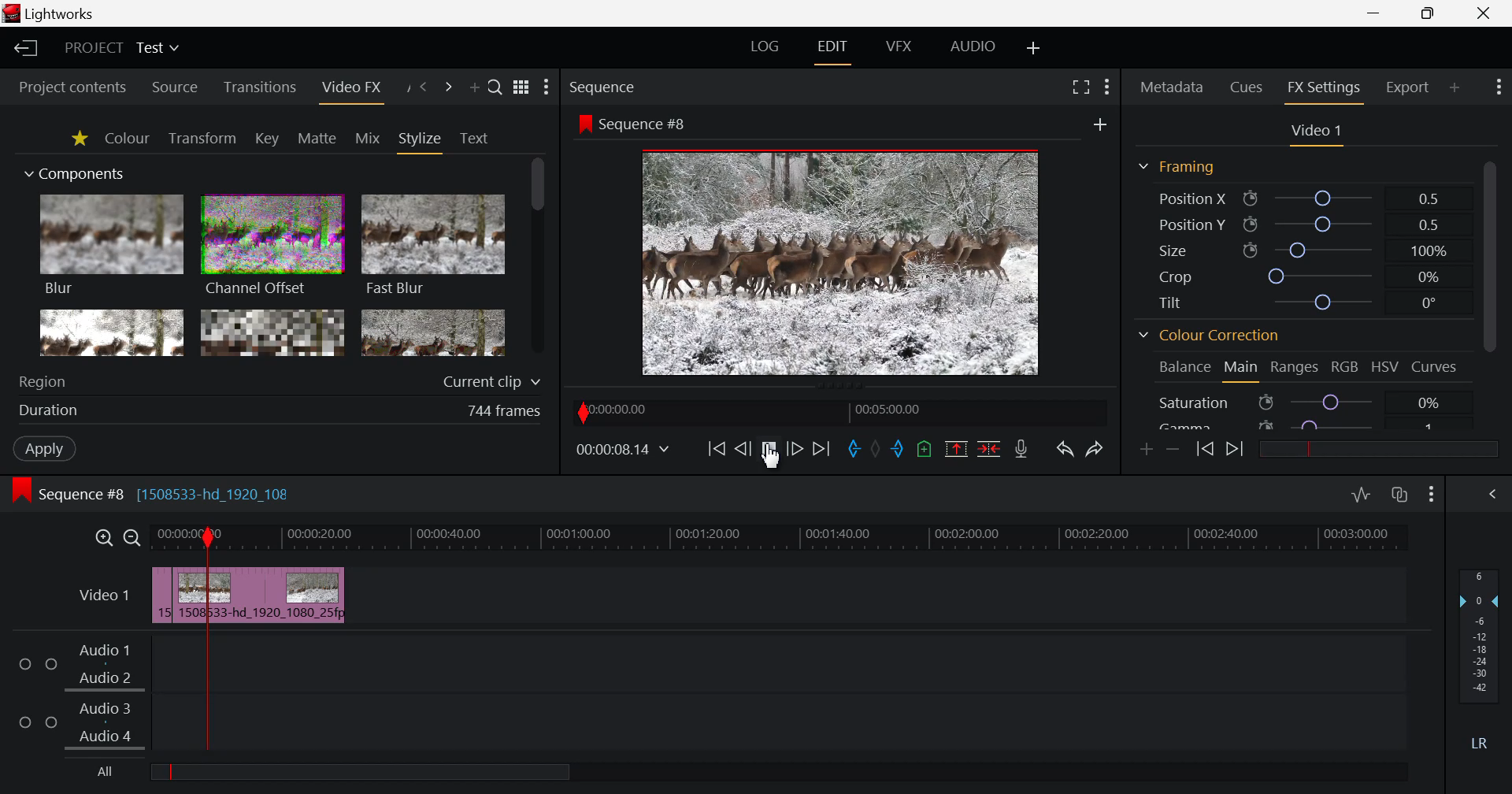 This screenshot has width=1512, height=794. Describe the element at coordinates (259, 88) in the screenshot. I see `Transitions` at that location.